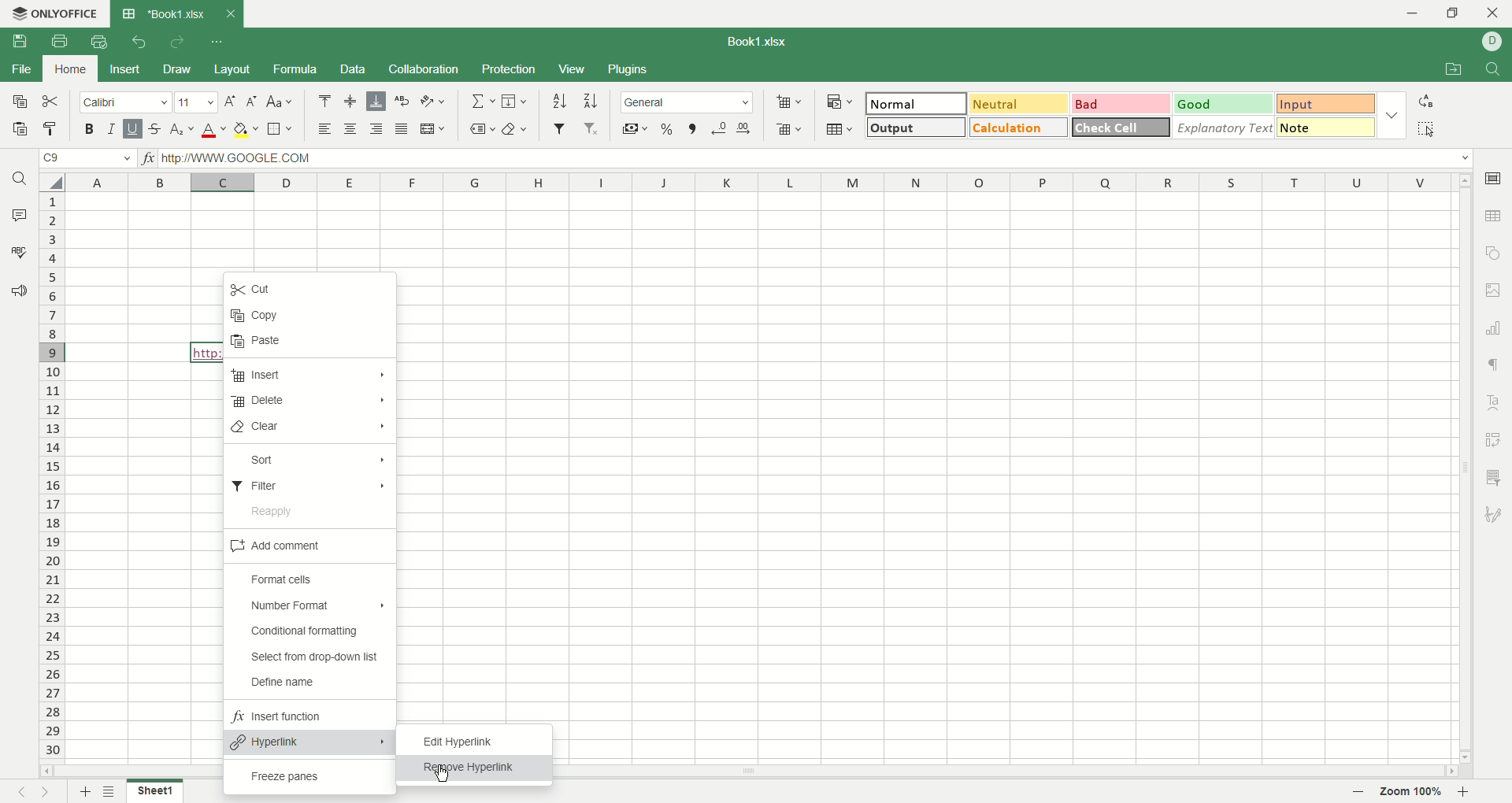 The image size is (1512, 803). Describe the element at coordinates (312, 481) in the screenshot. I see `filter` at that location.